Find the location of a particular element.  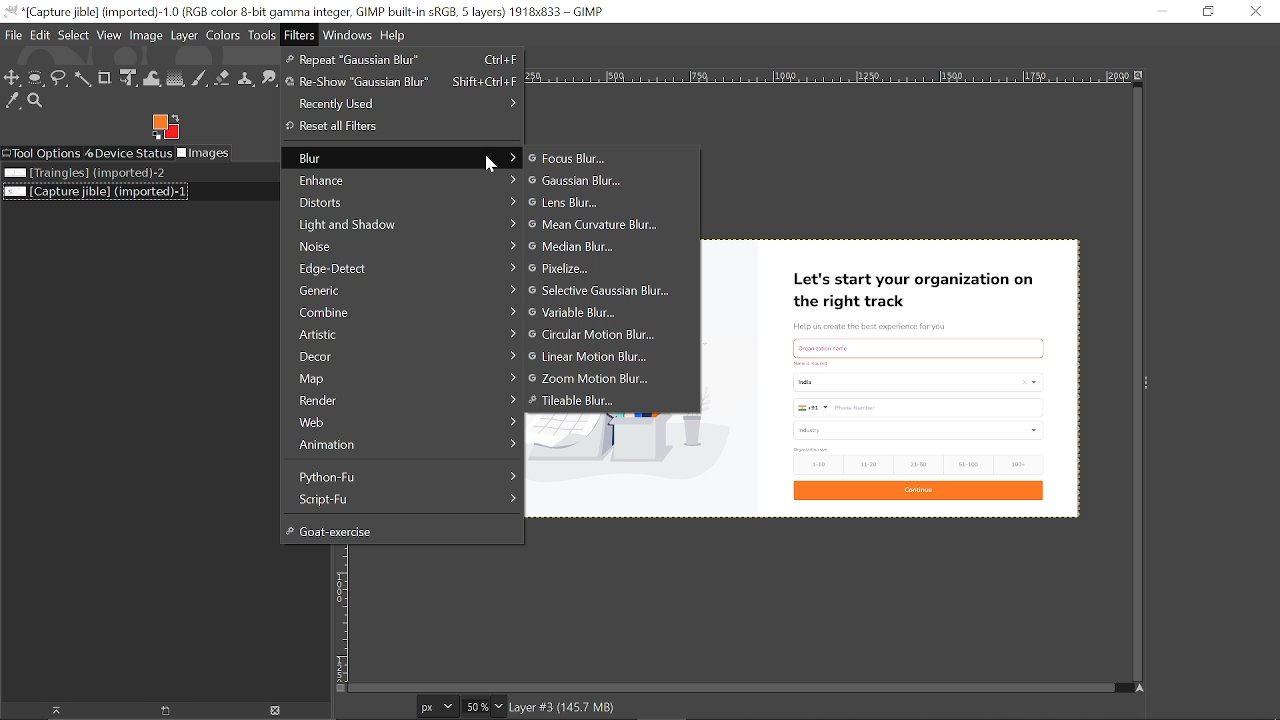

Enhance is located at coordinates (401, 179).